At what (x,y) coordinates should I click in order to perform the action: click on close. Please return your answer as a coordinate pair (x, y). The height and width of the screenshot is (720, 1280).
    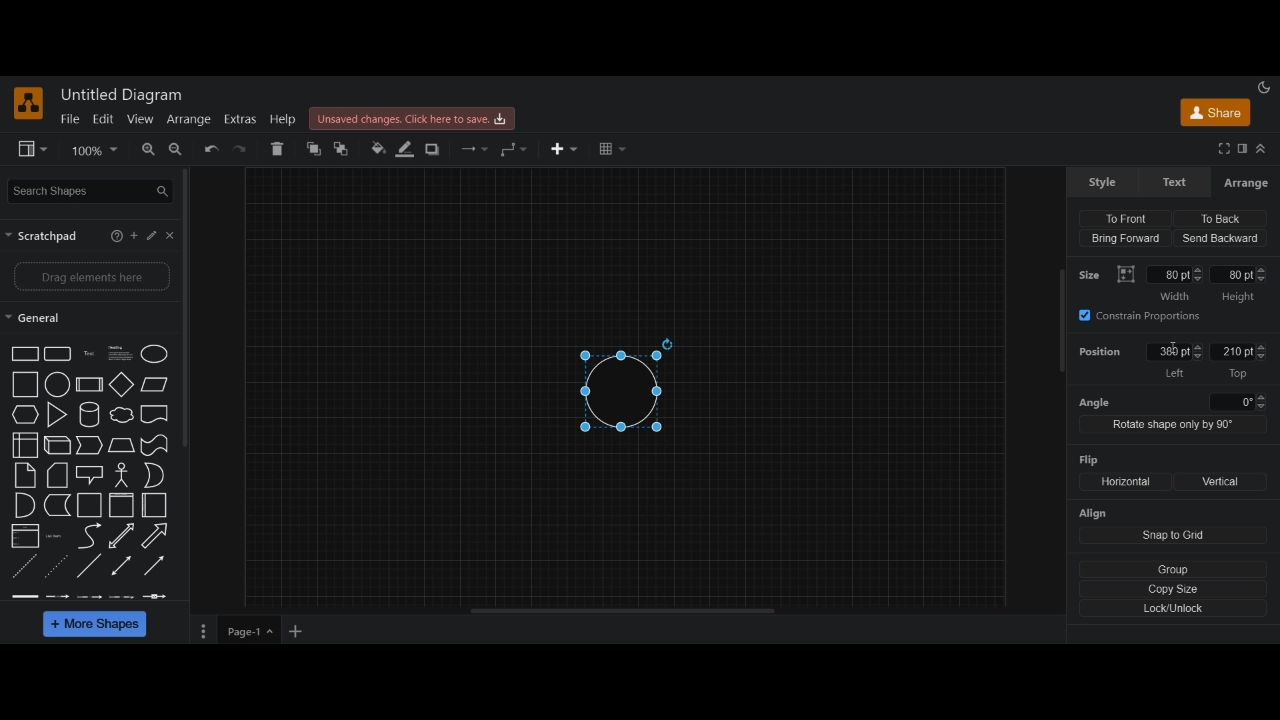
    Looking at the image, I should click on (173, 235).